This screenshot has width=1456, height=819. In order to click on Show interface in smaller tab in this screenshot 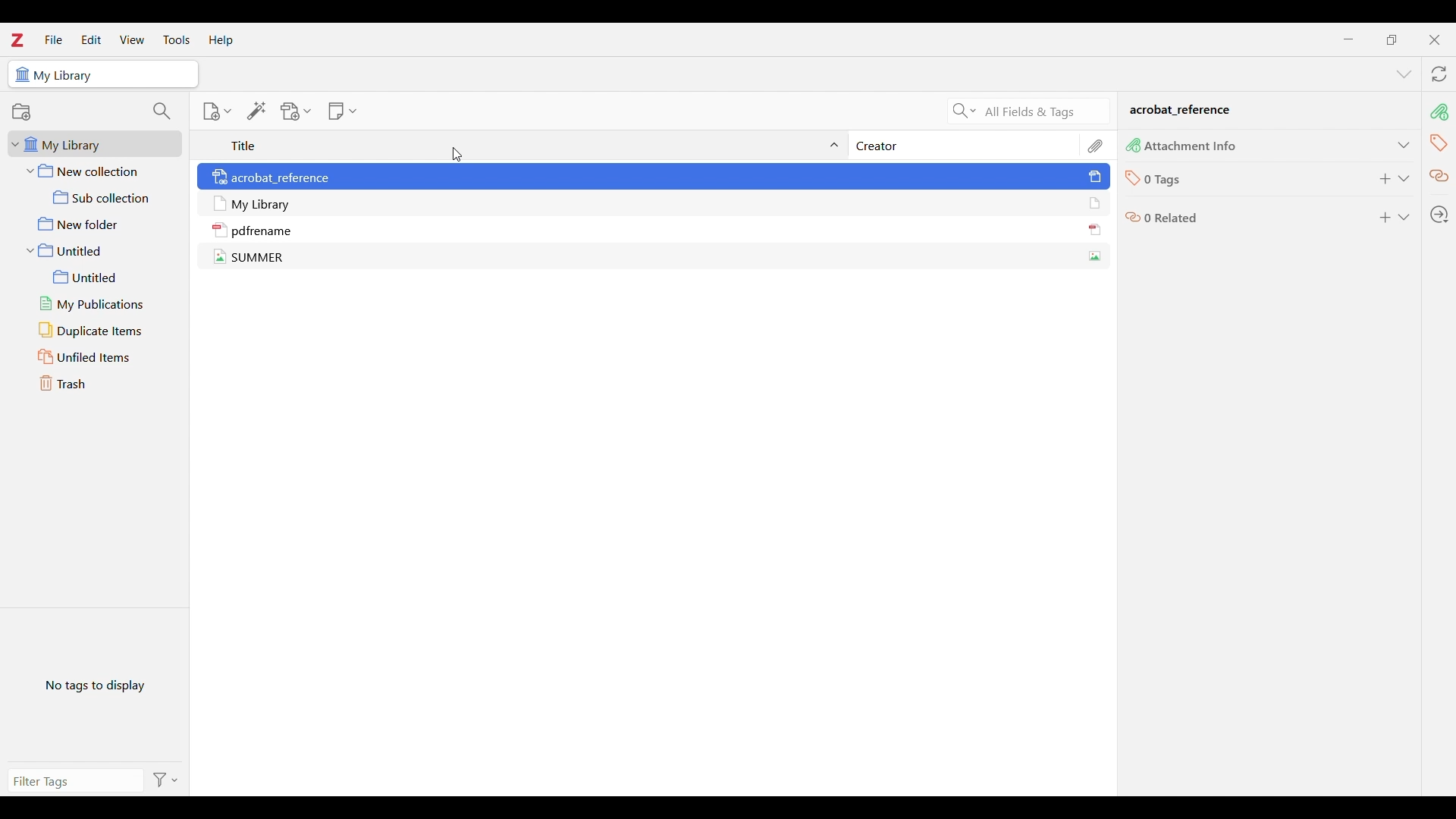, I will do `click(1392, 40)`.